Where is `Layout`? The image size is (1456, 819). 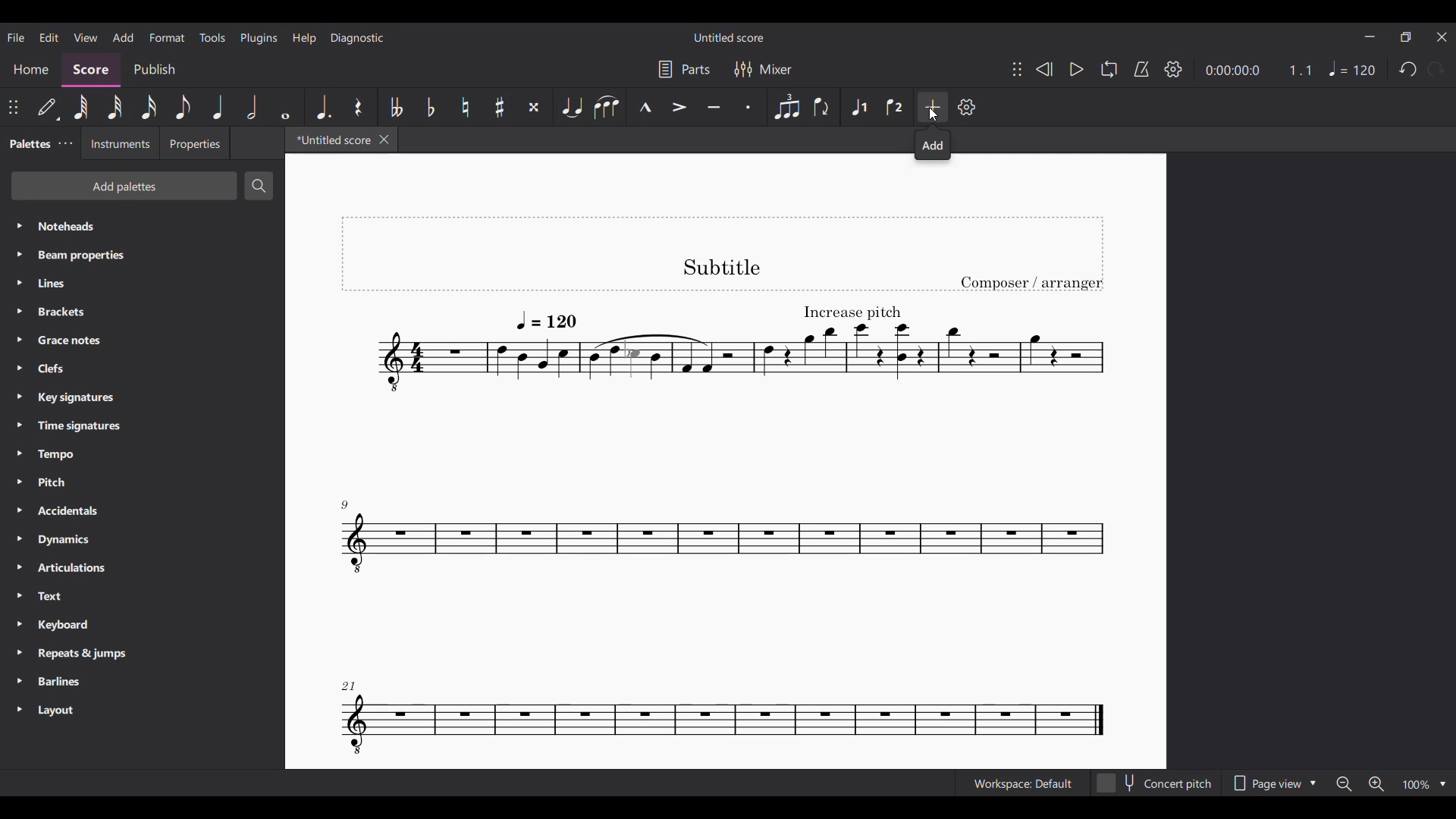
Layout is located at coordinates (142, 711).